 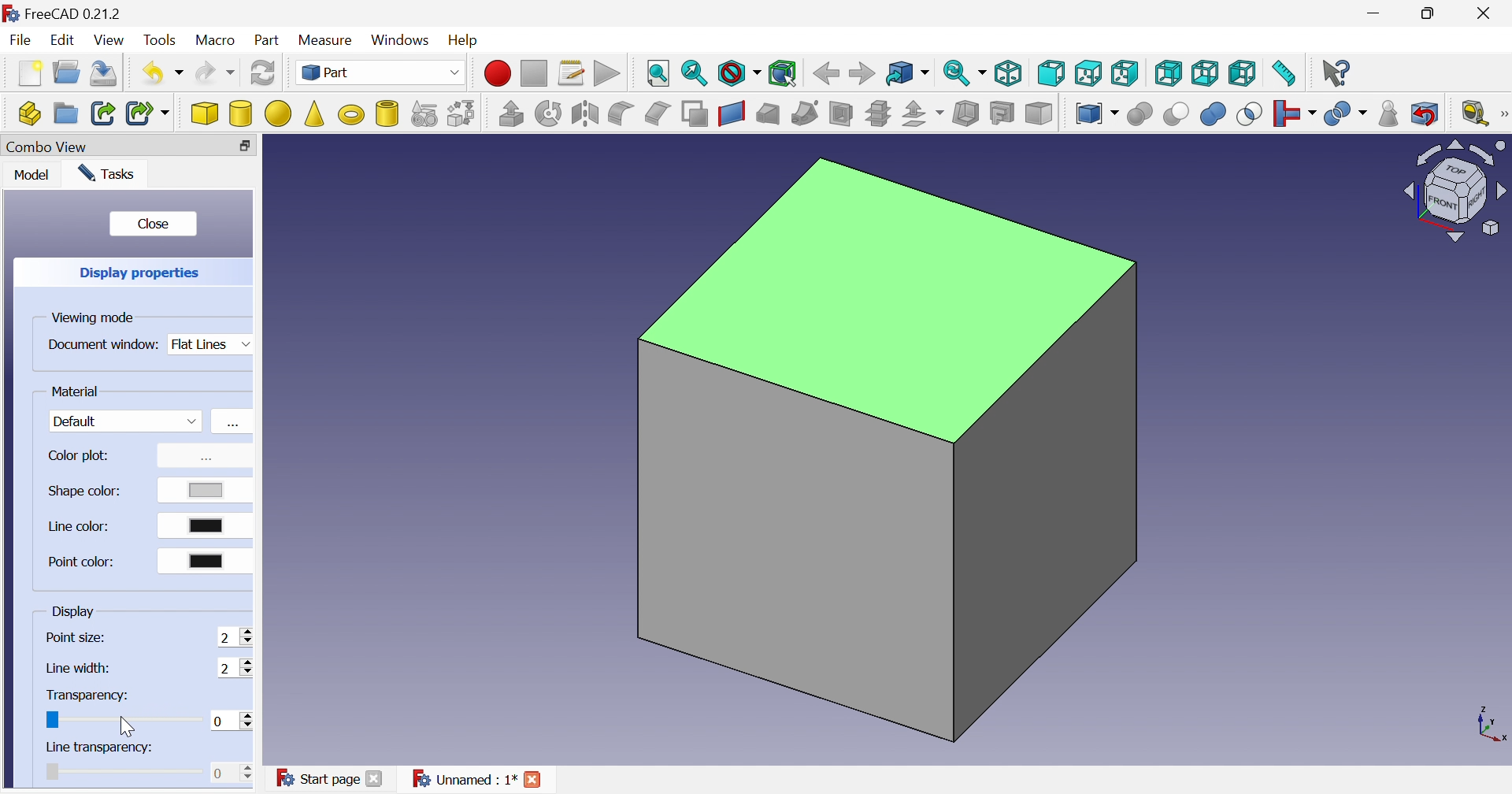 I want to click on Check geometry, so click(x=1389, y=114).